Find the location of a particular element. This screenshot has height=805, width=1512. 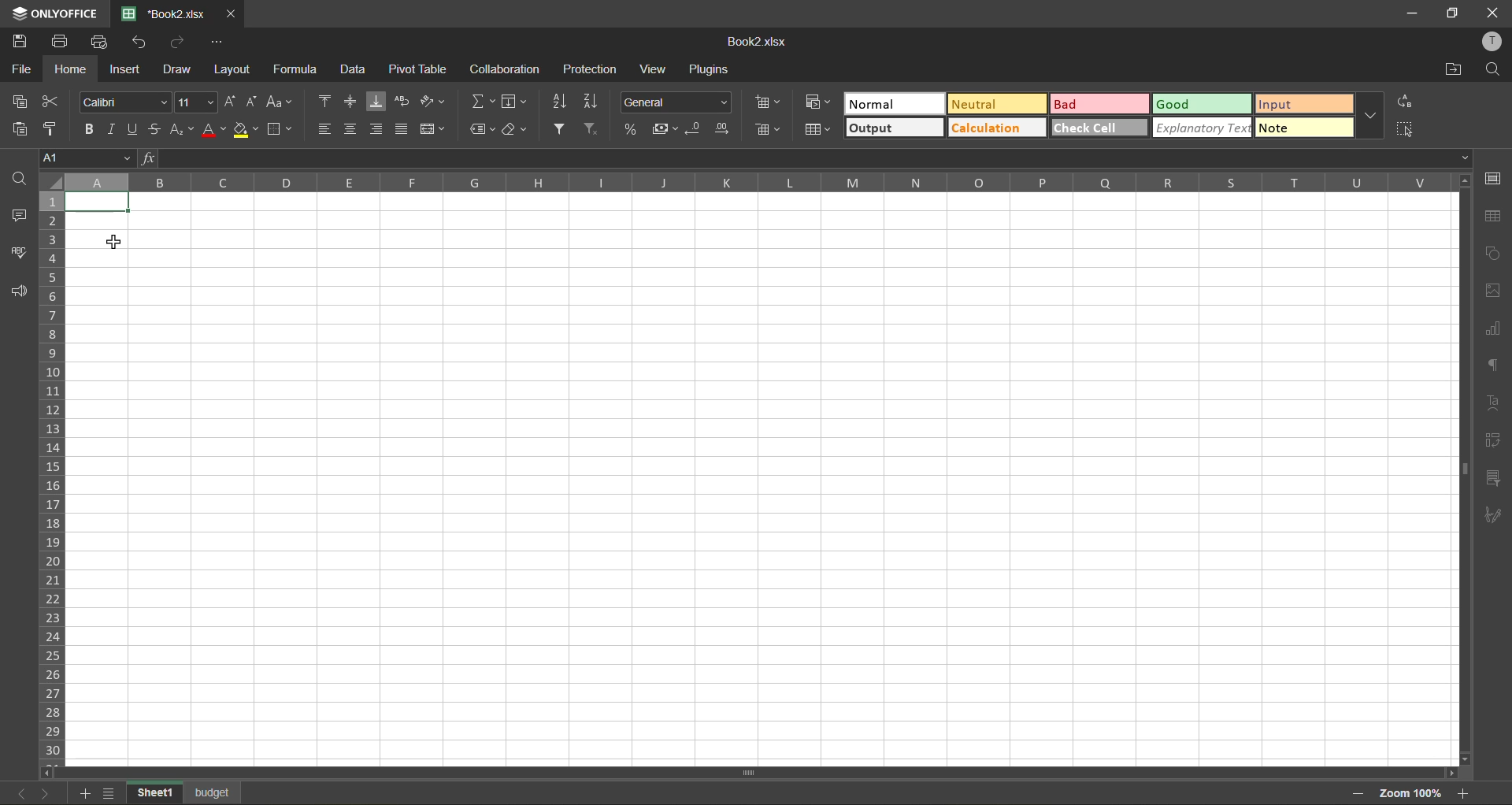

decrease decimal is located at coordinates (693, 129).